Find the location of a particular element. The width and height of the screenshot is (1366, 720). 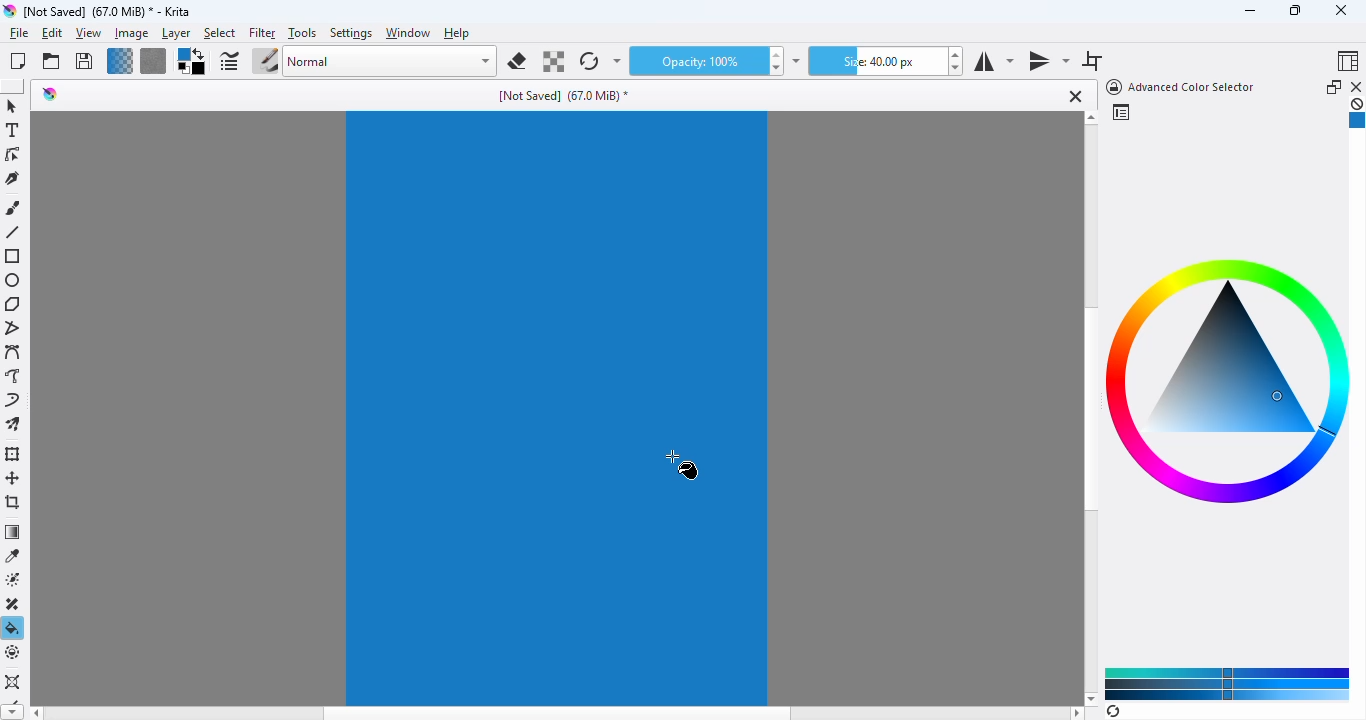

scroll right is located at coordinates (1077, 713).